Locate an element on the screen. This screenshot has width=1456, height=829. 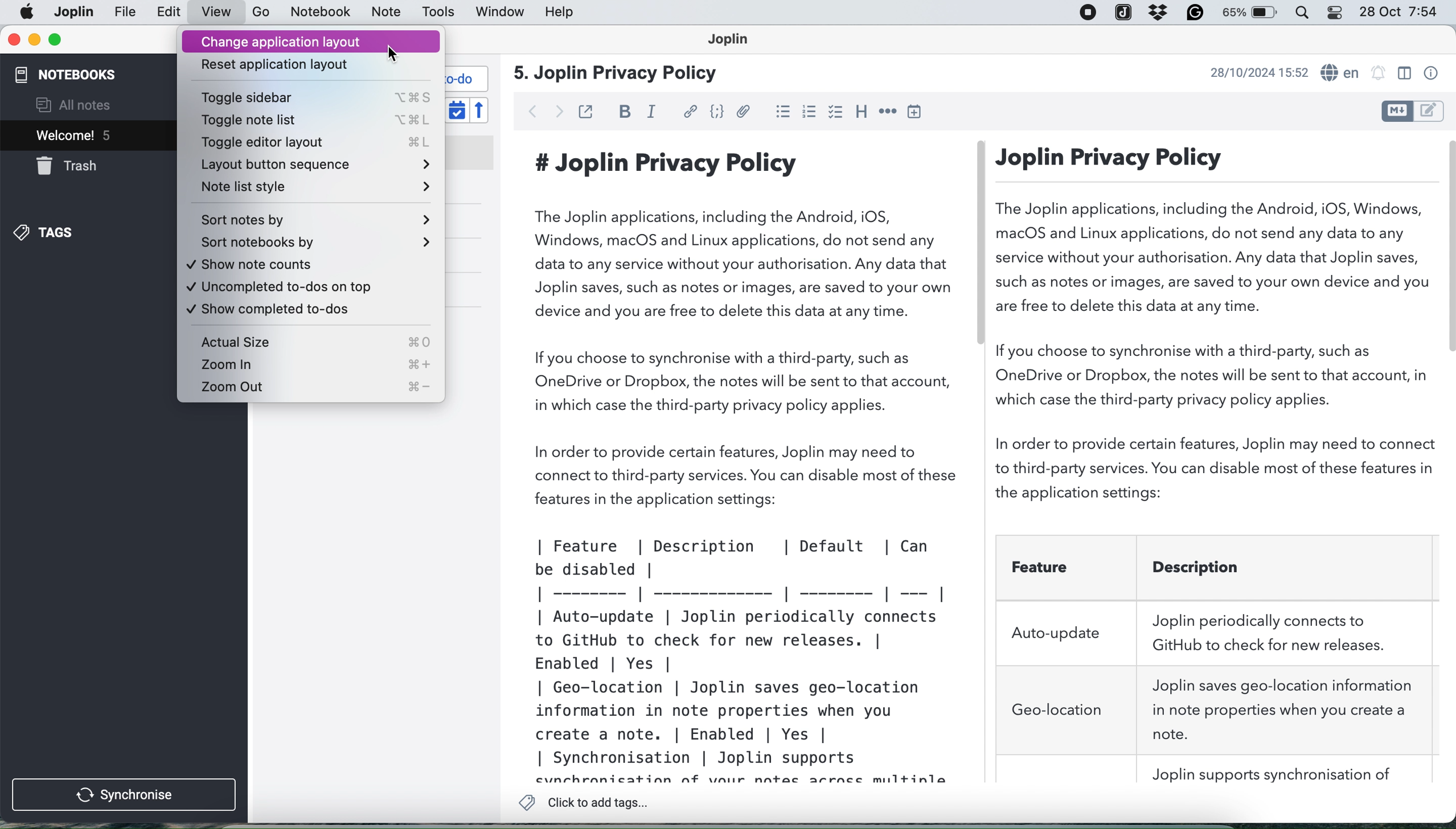
toggle editors is located at coordinates (1411, 110).